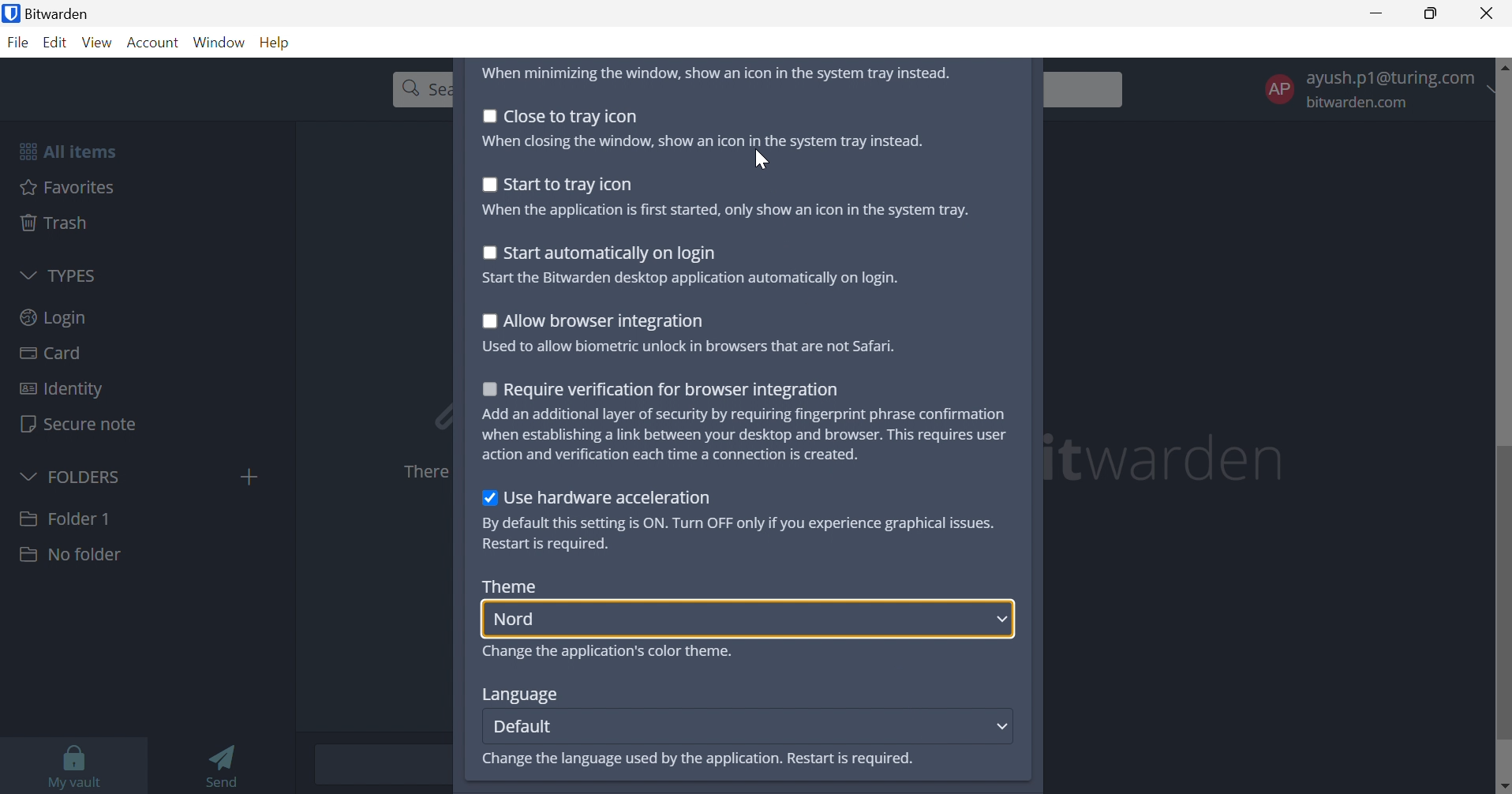  What do you see at coordinates (572, 116) in the screenshot?
I see `Close to tray icon` at bounding box center [572, 116].